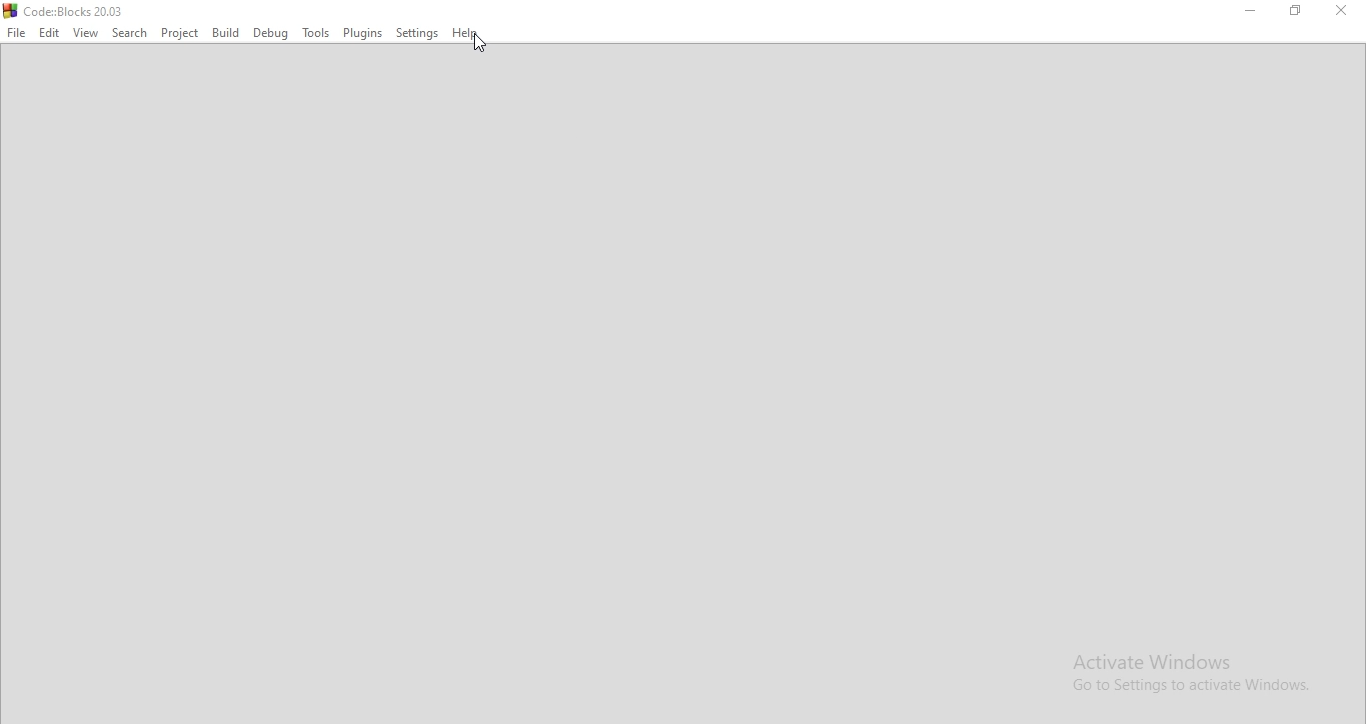  Describe the element at coordinates (86, 33) in the screenshot. I see `View ` at that location.